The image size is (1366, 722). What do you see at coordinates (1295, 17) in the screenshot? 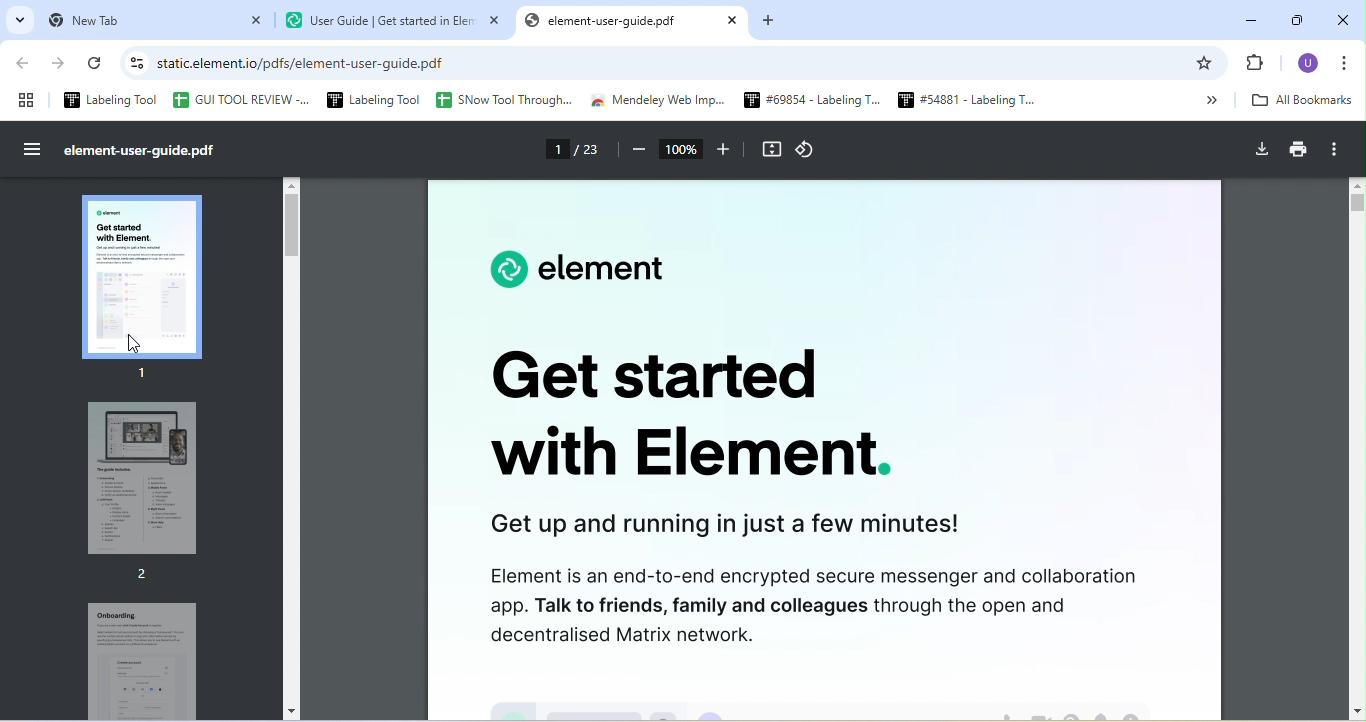
I see `maximize` at bounding box center [1295, 17].